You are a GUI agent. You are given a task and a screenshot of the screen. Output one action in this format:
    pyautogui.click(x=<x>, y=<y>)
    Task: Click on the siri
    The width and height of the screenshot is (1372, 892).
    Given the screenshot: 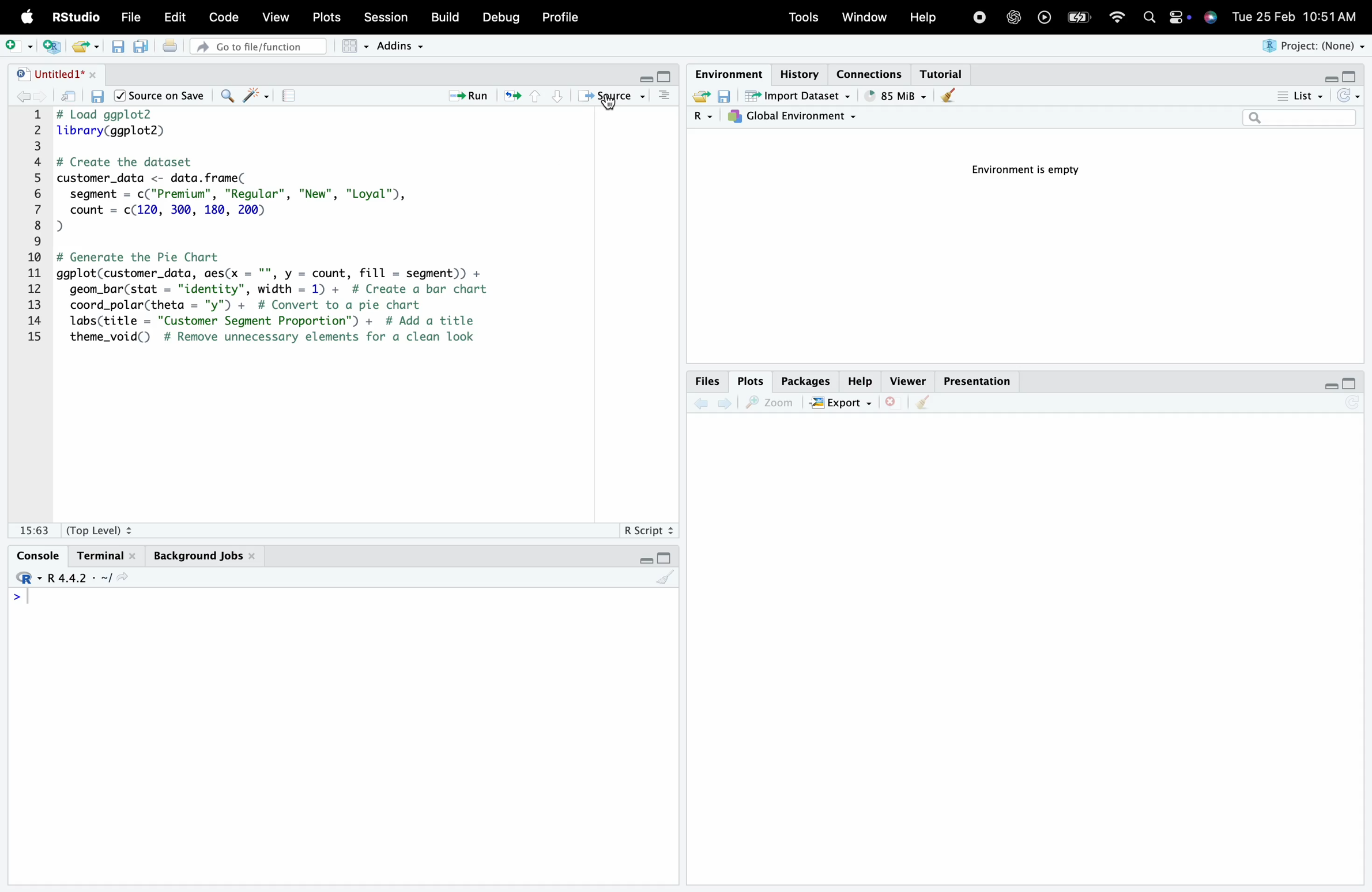 What is the action you would take?
    pyautogui.click(x=1212, y=21)
    